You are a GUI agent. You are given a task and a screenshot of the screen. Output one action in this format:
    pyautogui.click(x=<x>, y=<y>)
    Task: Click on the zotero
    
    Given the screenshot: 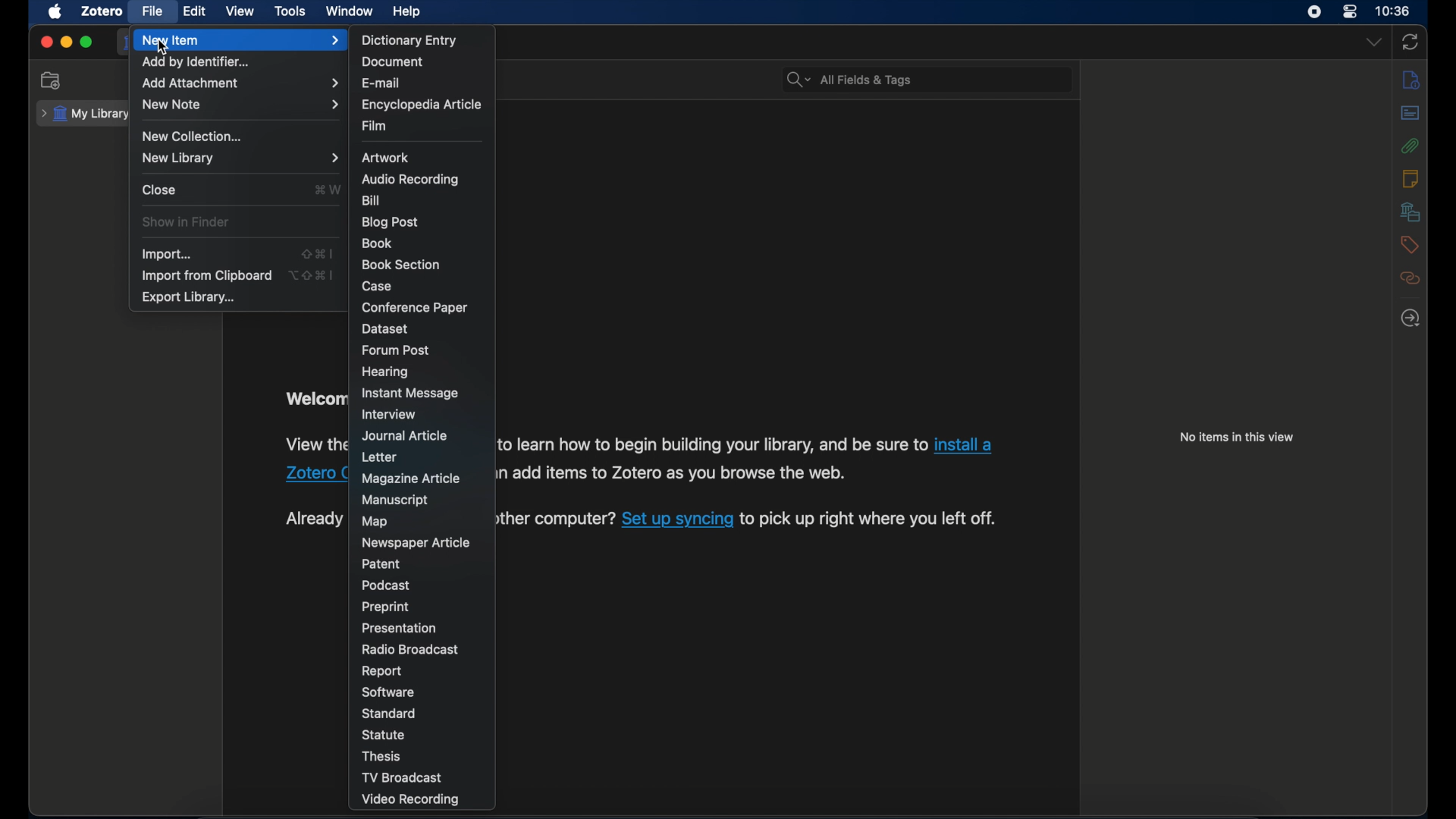 What is the action you would take?
    pyautogui.click(x=102, y=11)
    